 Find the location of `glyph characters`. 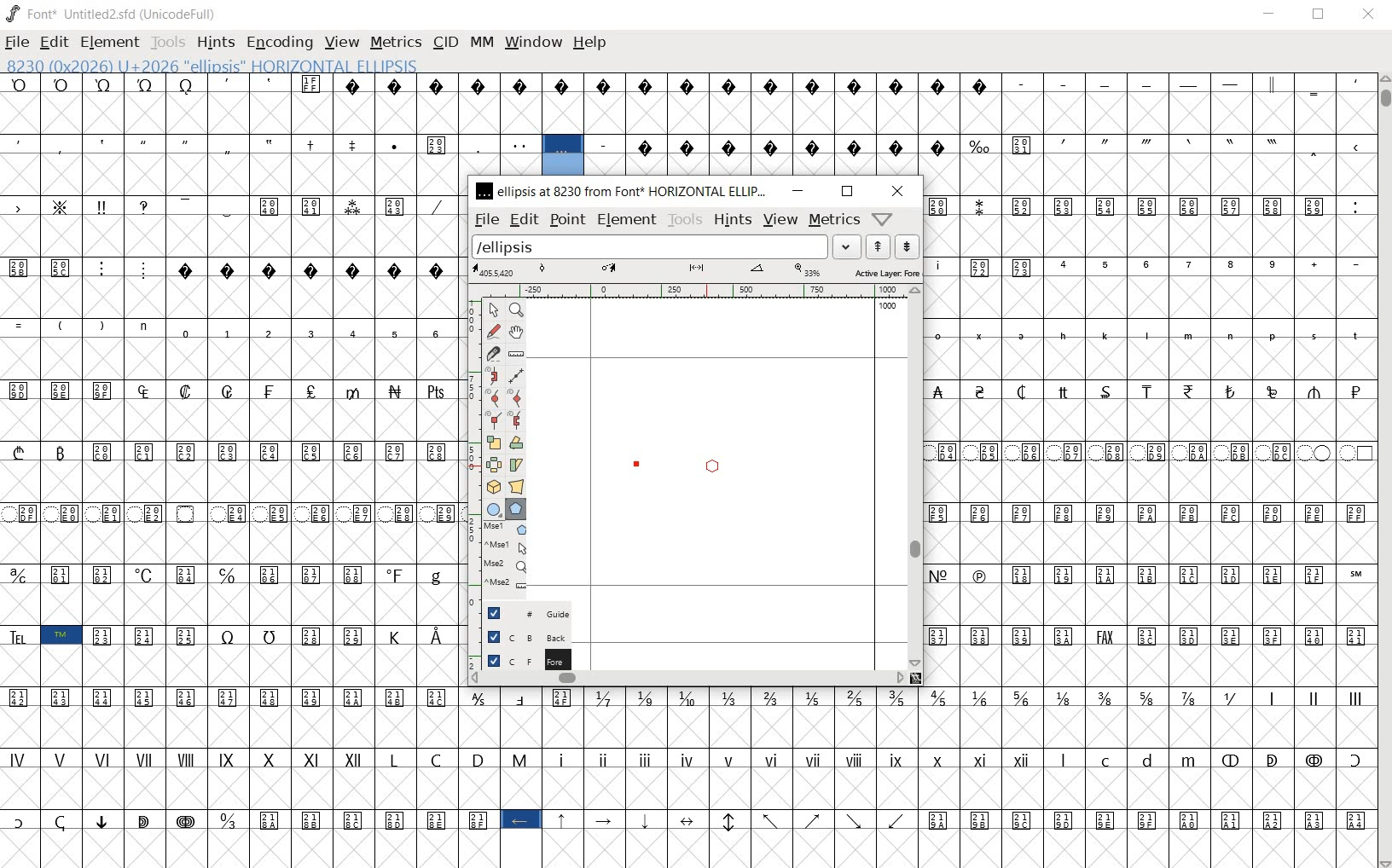

glyph characters is located at coordinates (915, 774).